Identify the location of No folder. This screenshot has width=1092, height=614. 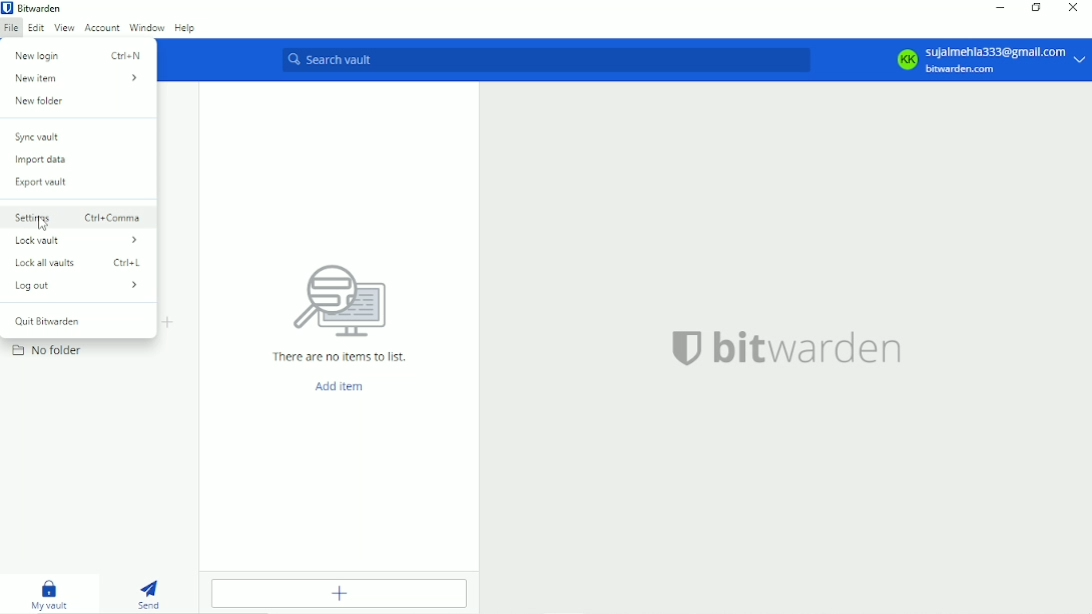
(54, 350).